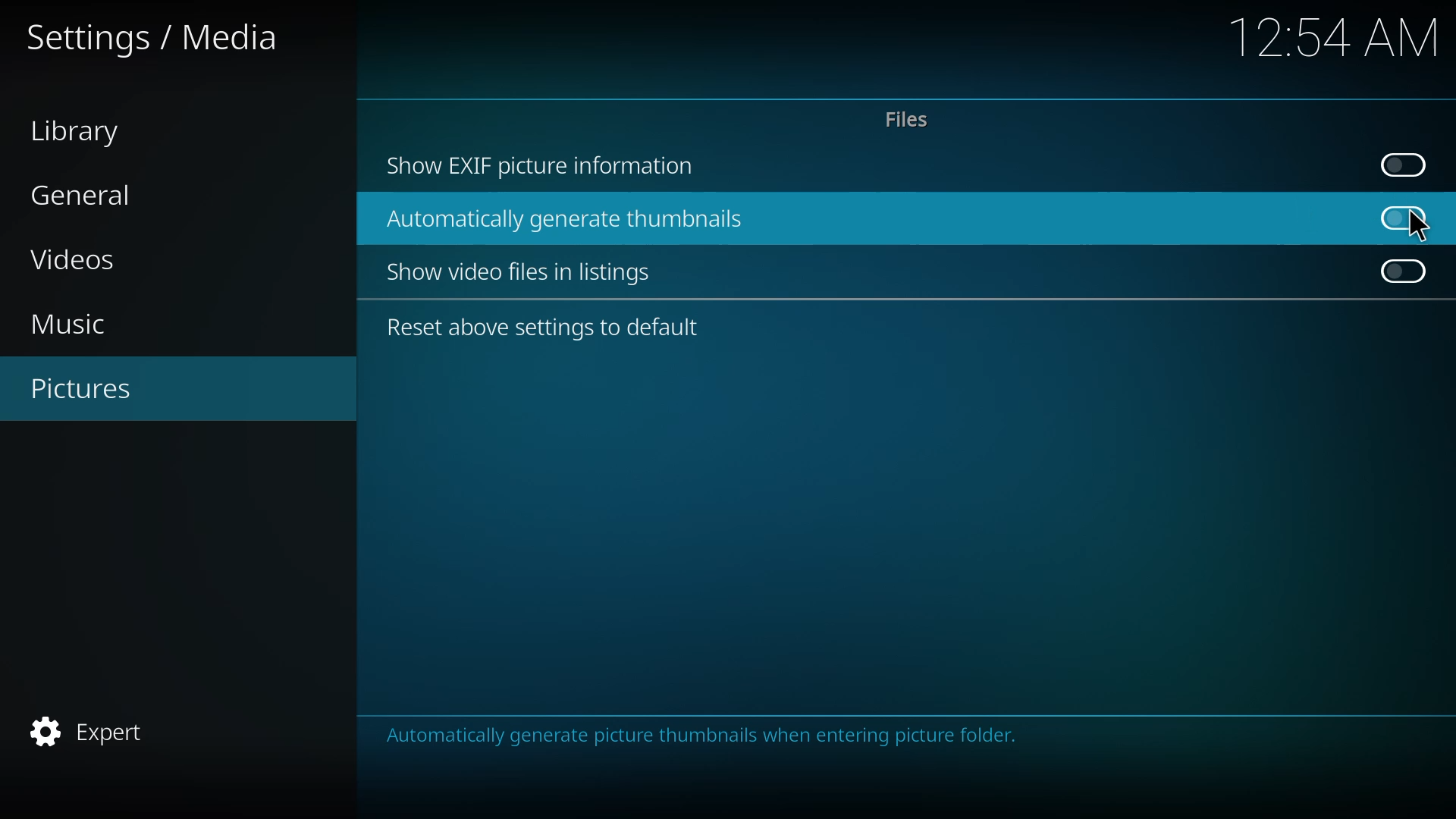 This screenshot has height=819, width=1456. Describe the element at coordinates (1420, 224) in the screenshot. I see `cursor` at that location.